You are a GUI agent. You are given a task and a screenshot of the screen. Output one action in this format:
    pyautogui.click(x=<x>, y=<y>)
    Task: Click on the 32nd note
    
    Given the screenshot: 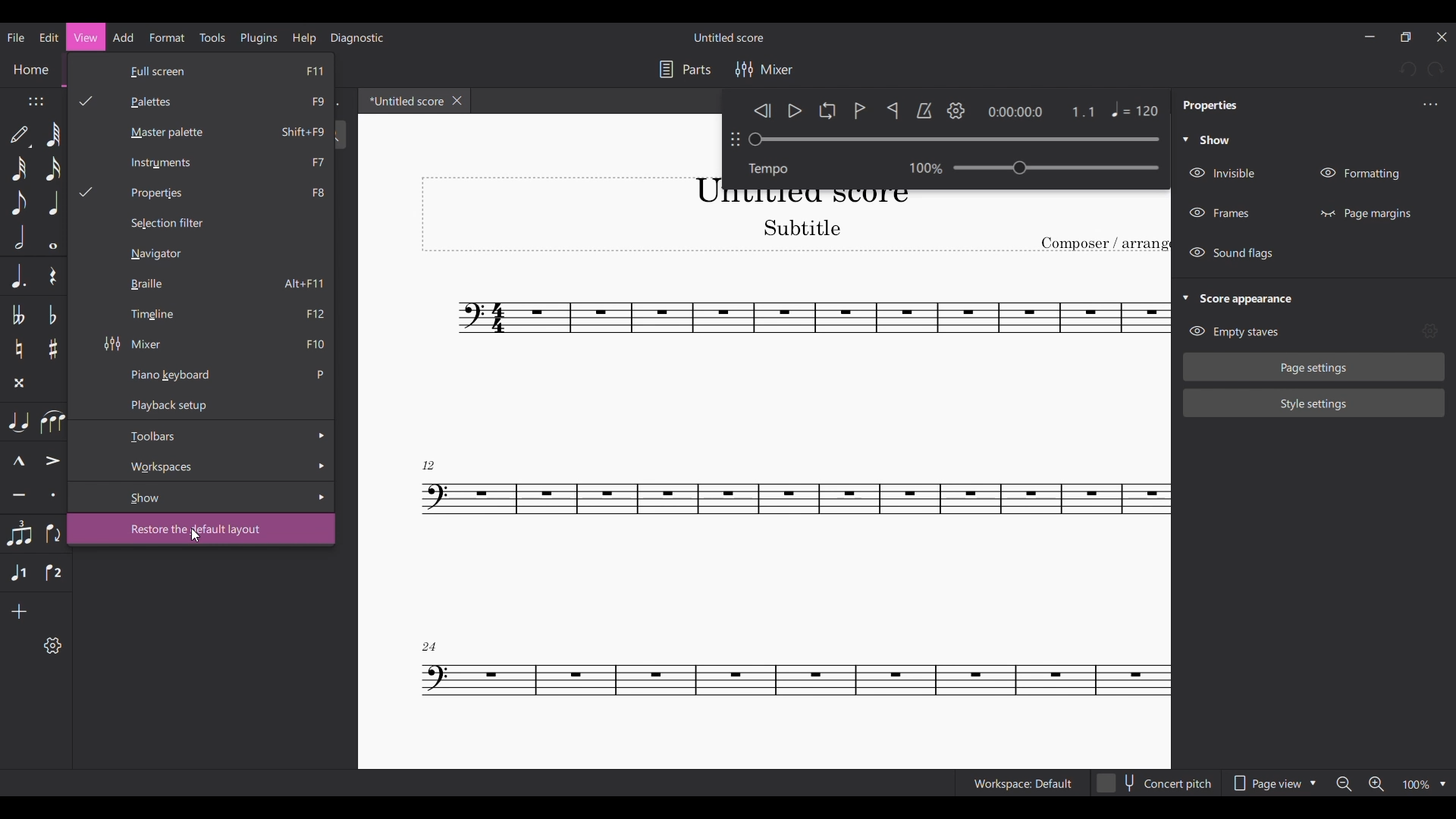 What is the action you would take?
    pyautogui.click(x=18, y=168)
    